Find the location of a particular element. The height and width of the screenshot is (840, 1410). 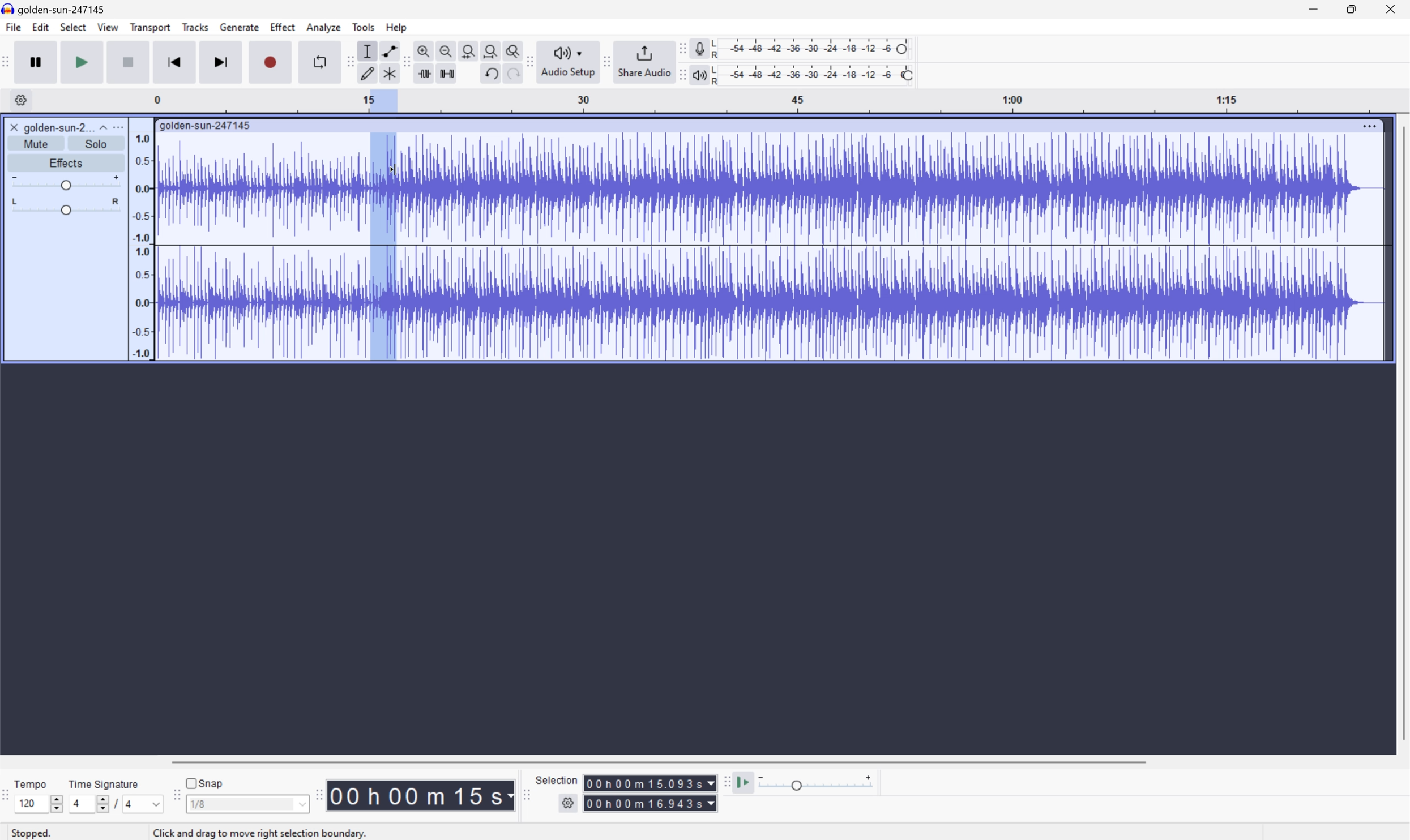

Recording level: 62% is located at coordinates (814, 48).